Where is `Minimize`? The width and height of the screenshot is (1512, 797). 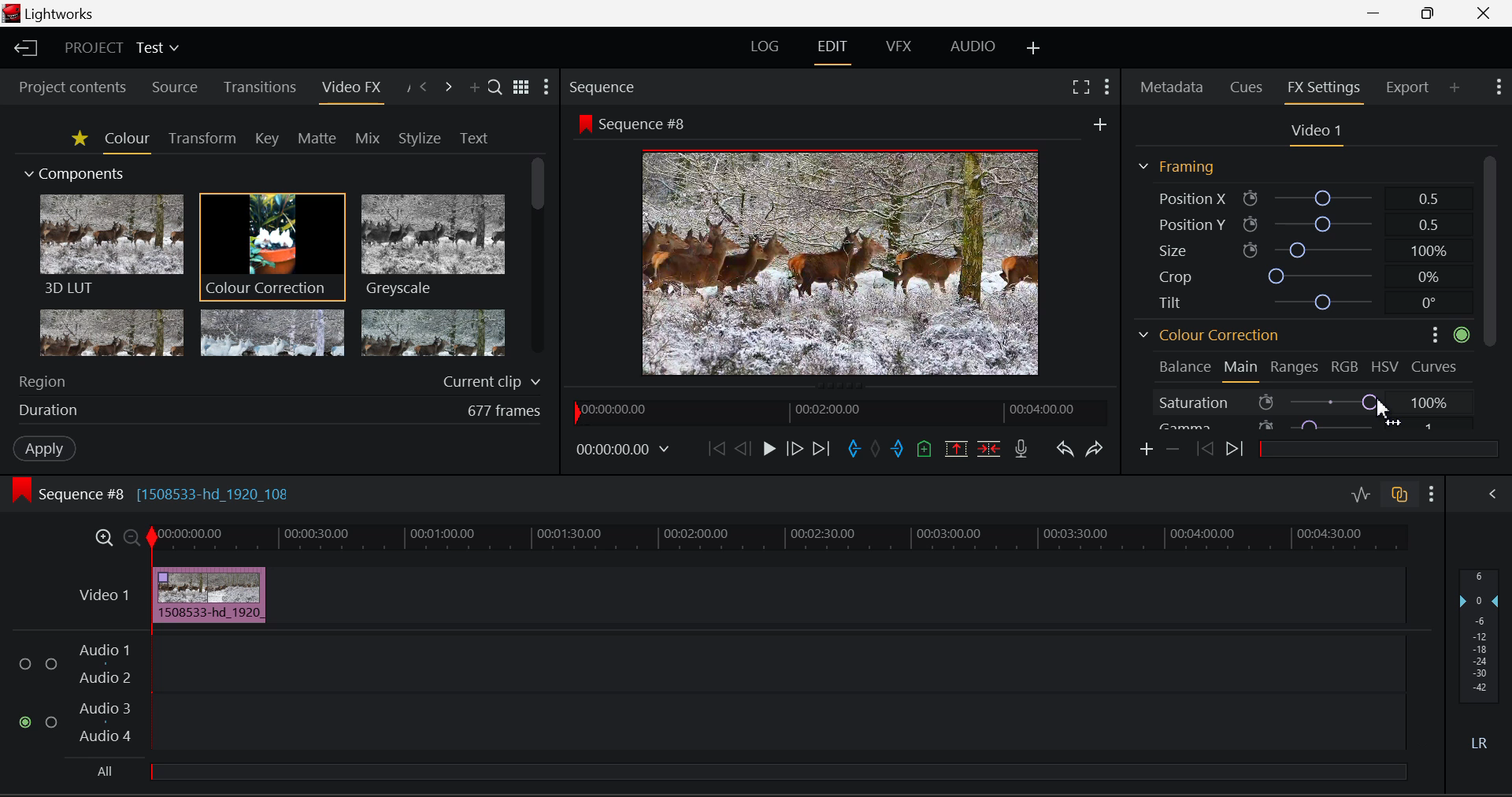 Minimize is located at coordinates (1431, 13).